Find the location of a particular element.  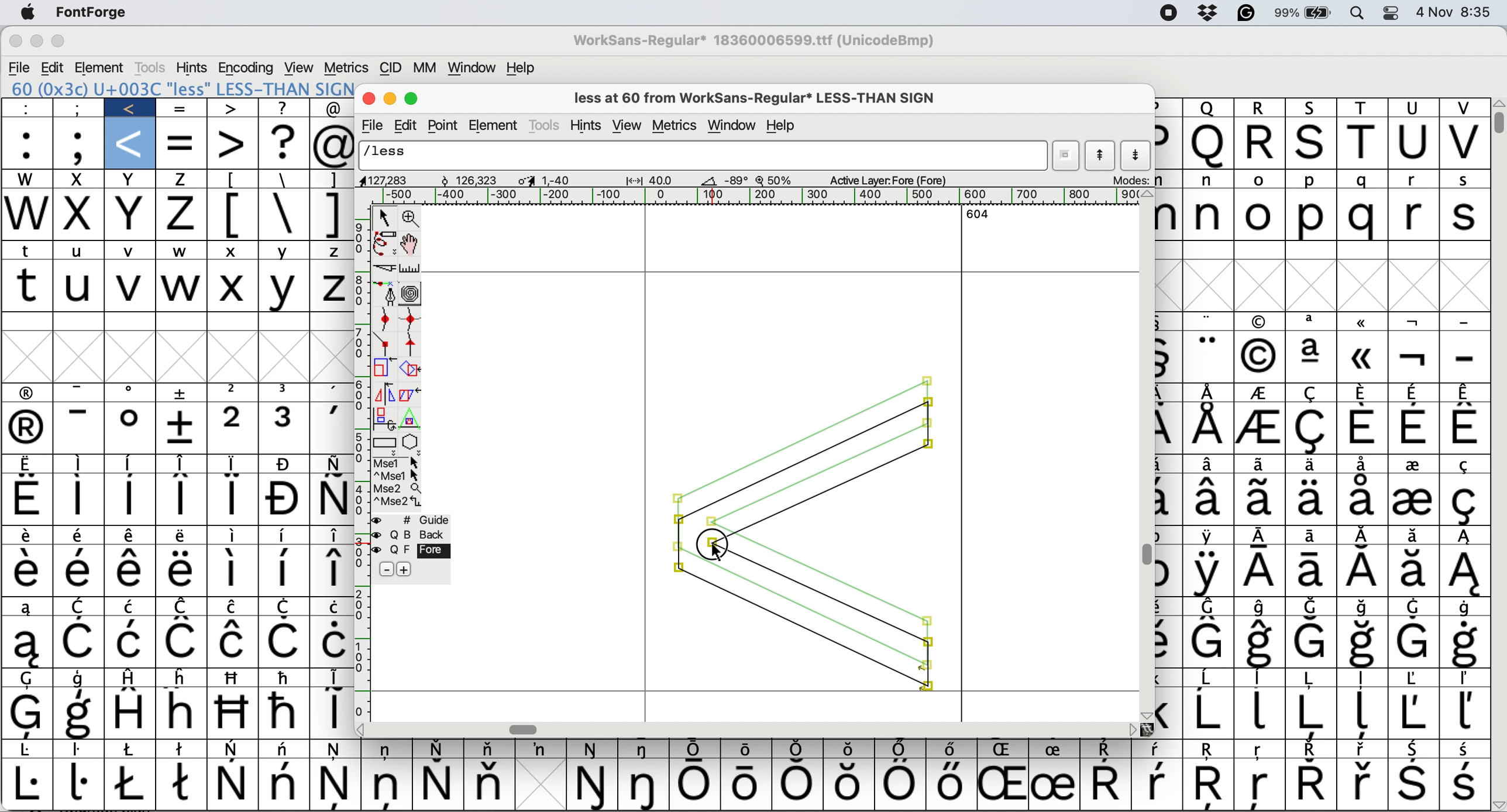

w is located at coordinates (181, 250).